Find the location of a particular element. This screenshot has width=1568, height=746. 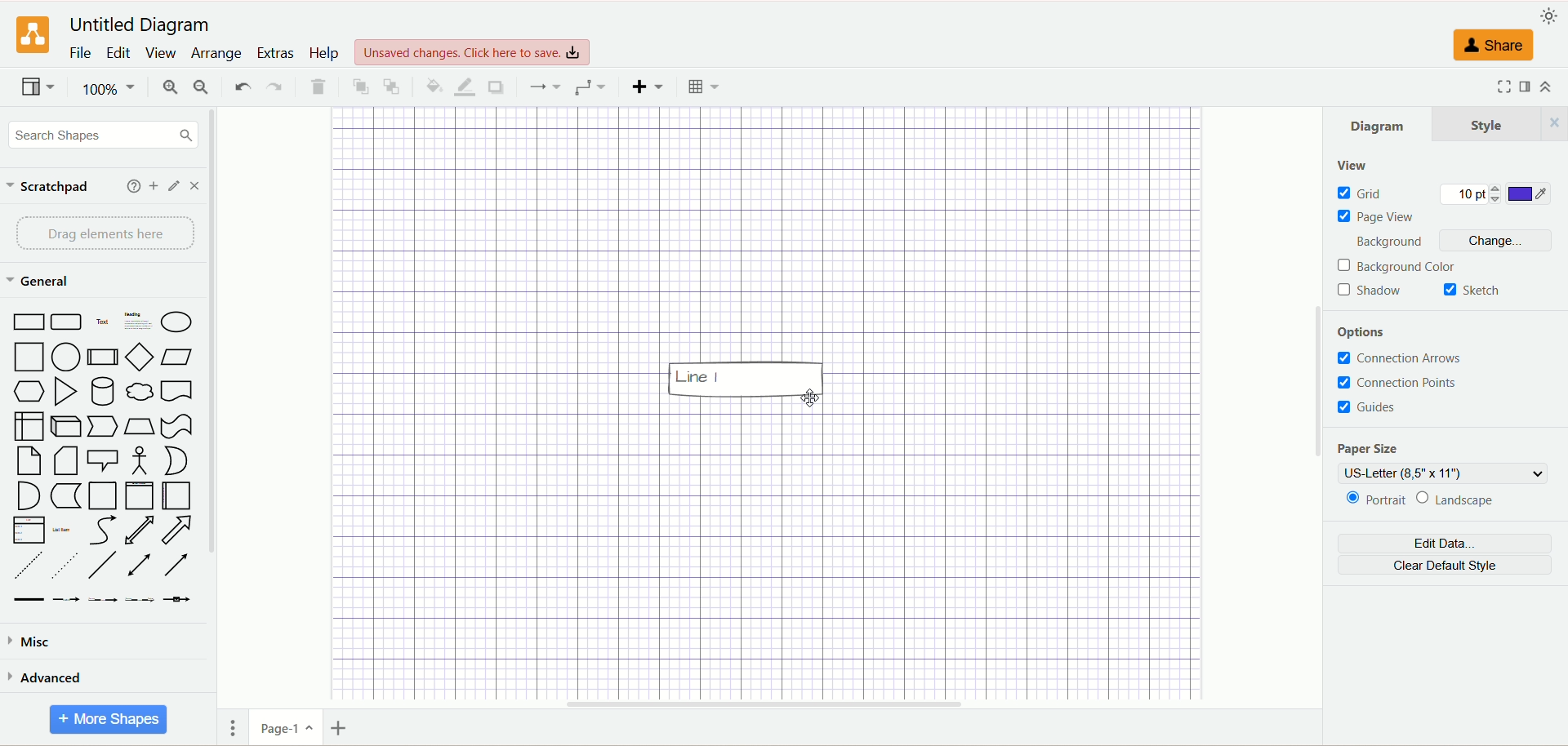

view is located at coordinates (1359, 164).